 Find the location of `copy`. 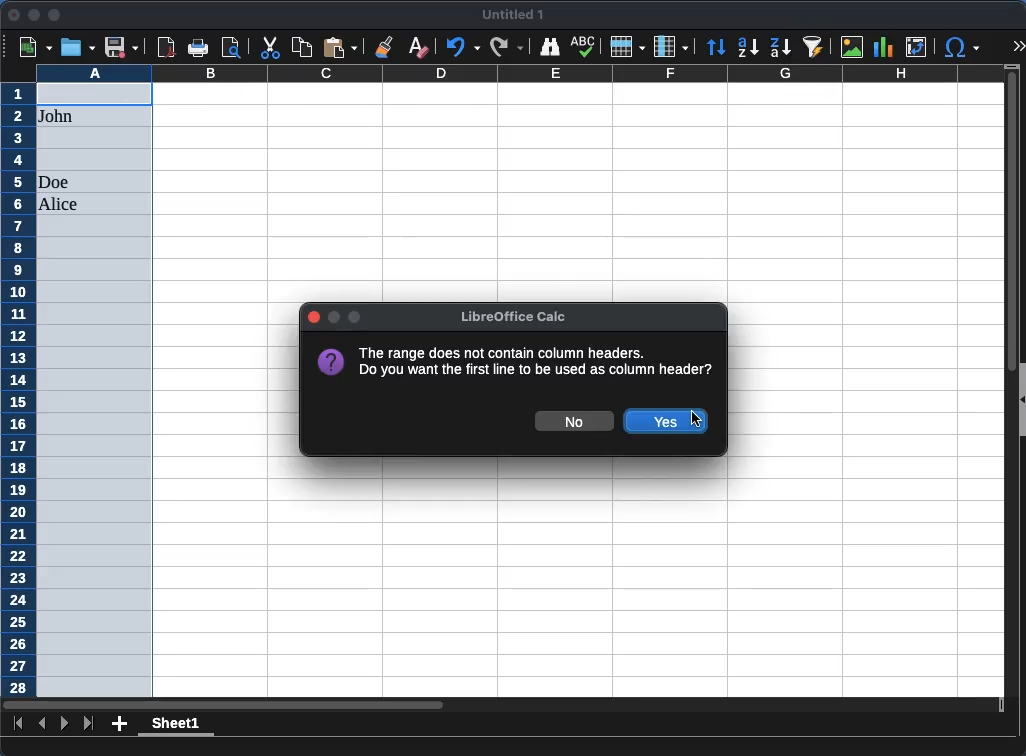

copy is located at coordinates (303, 48).